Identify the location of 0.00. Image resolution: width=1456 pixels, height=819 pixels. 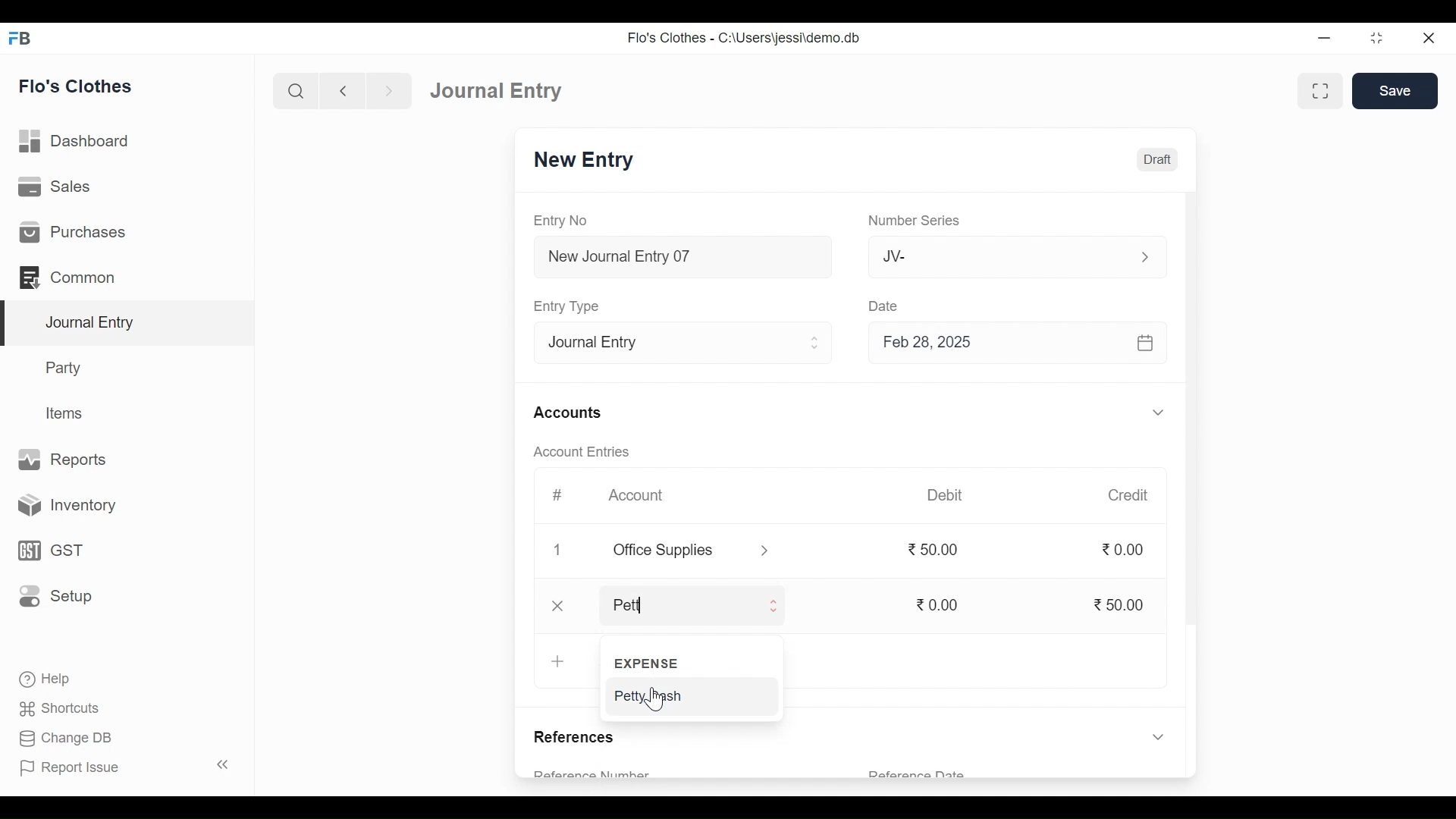
(938, 604).